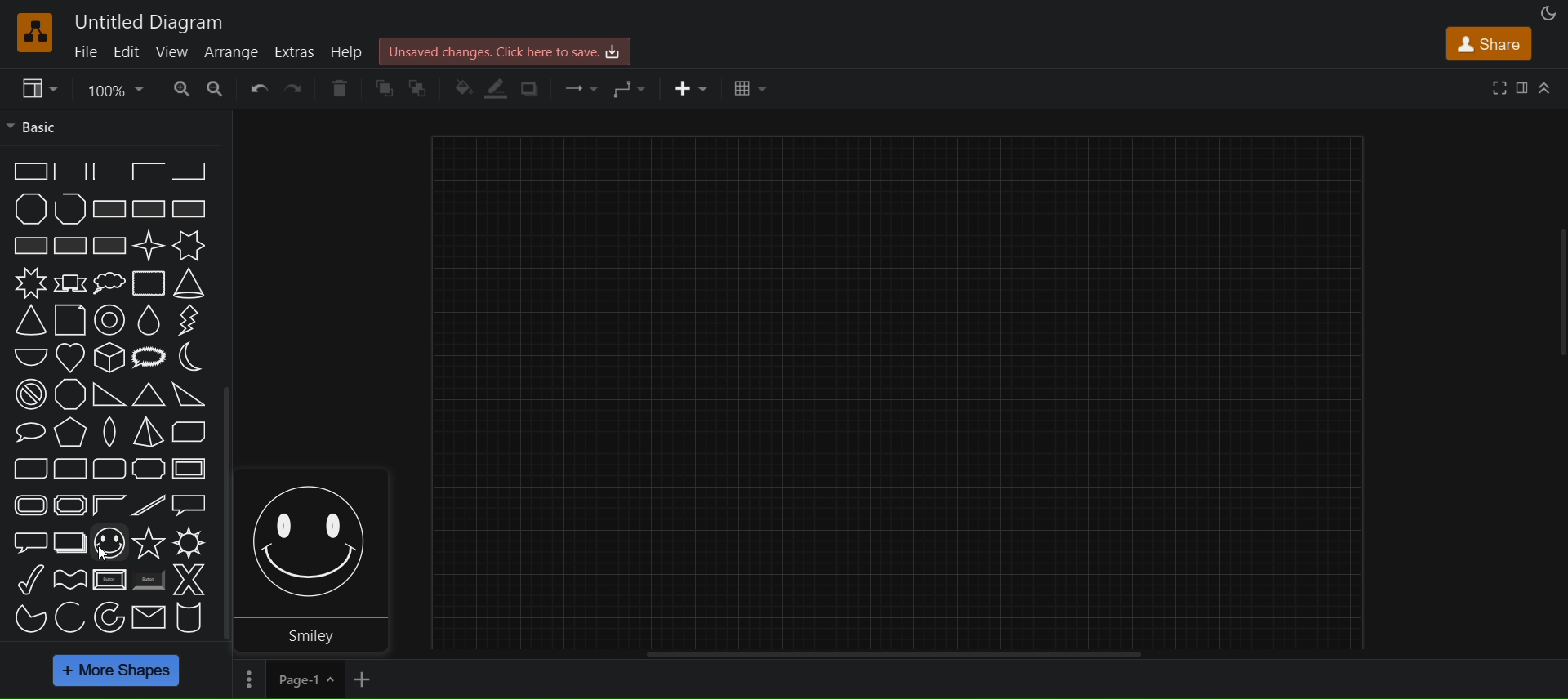 The height and width of the screenshot is (699, 1568). What do you see at coordinates (109, 172) in the screenshot?
I see `partial rectangle` at bounding box center [109, 172].